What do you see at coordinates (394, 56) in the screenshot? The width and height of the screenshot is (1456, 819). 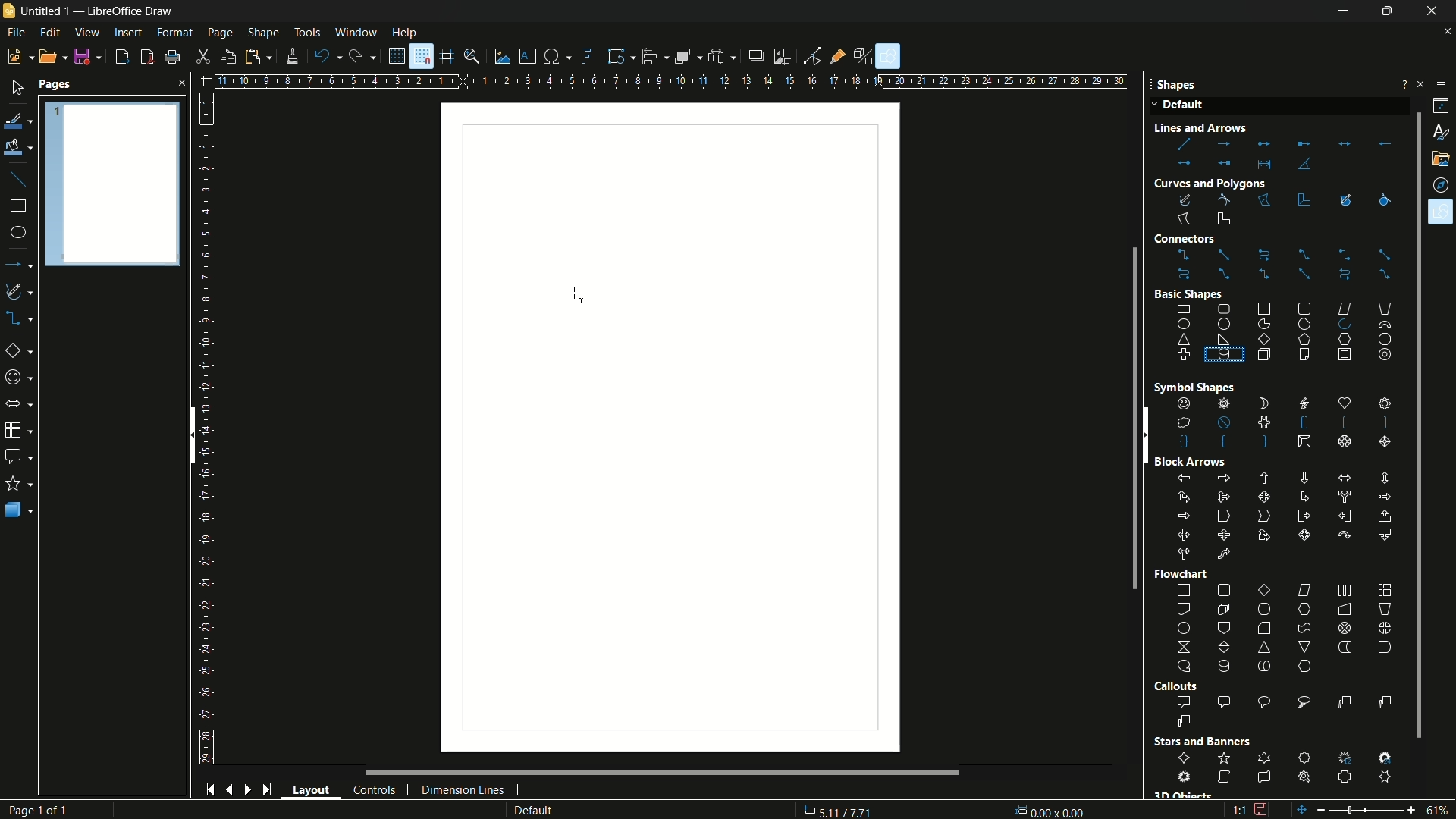 I see `display grid` at bounding box center [394, 56].